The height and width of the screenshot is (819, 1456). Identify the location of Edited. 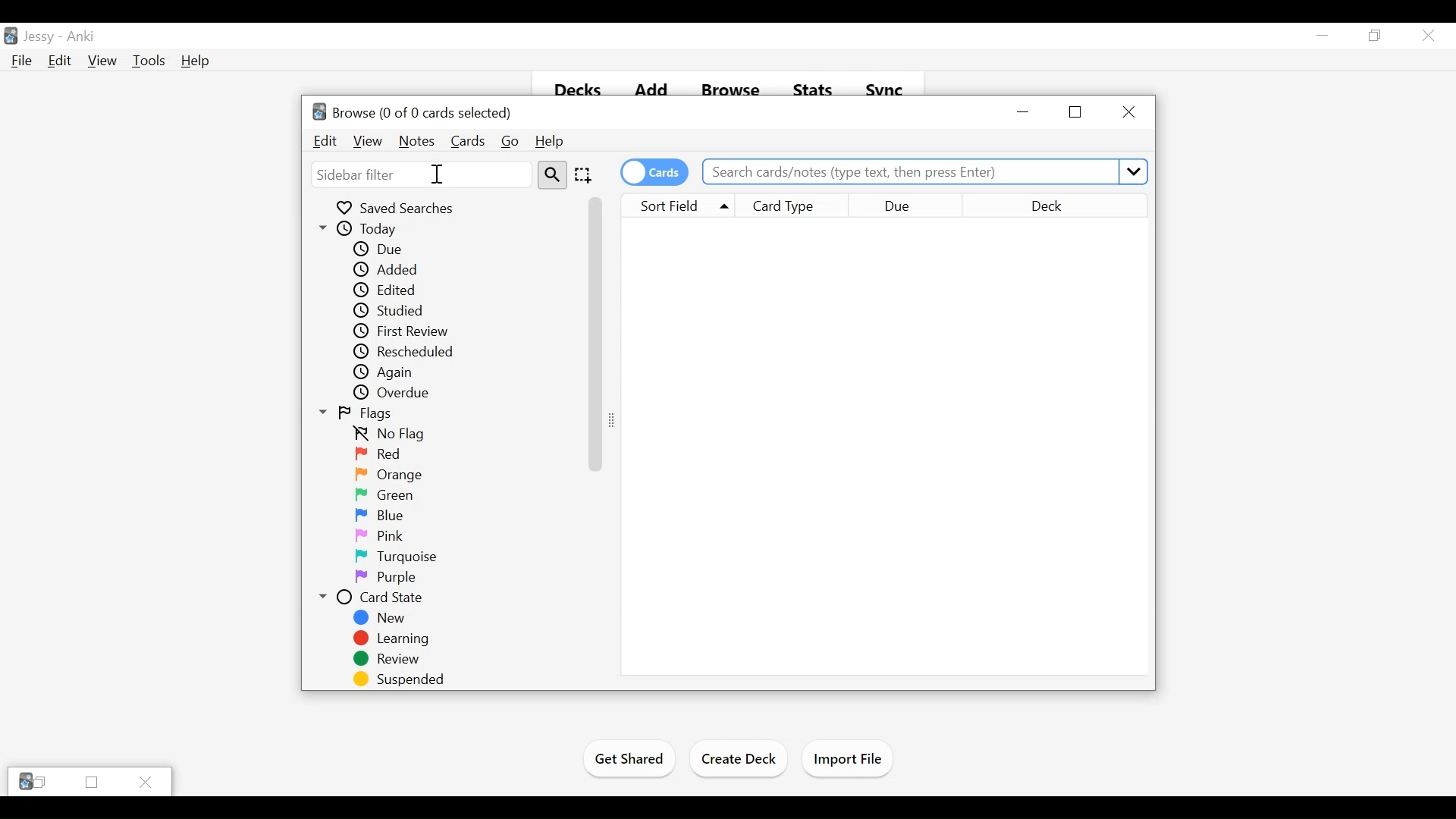
(388, 290).